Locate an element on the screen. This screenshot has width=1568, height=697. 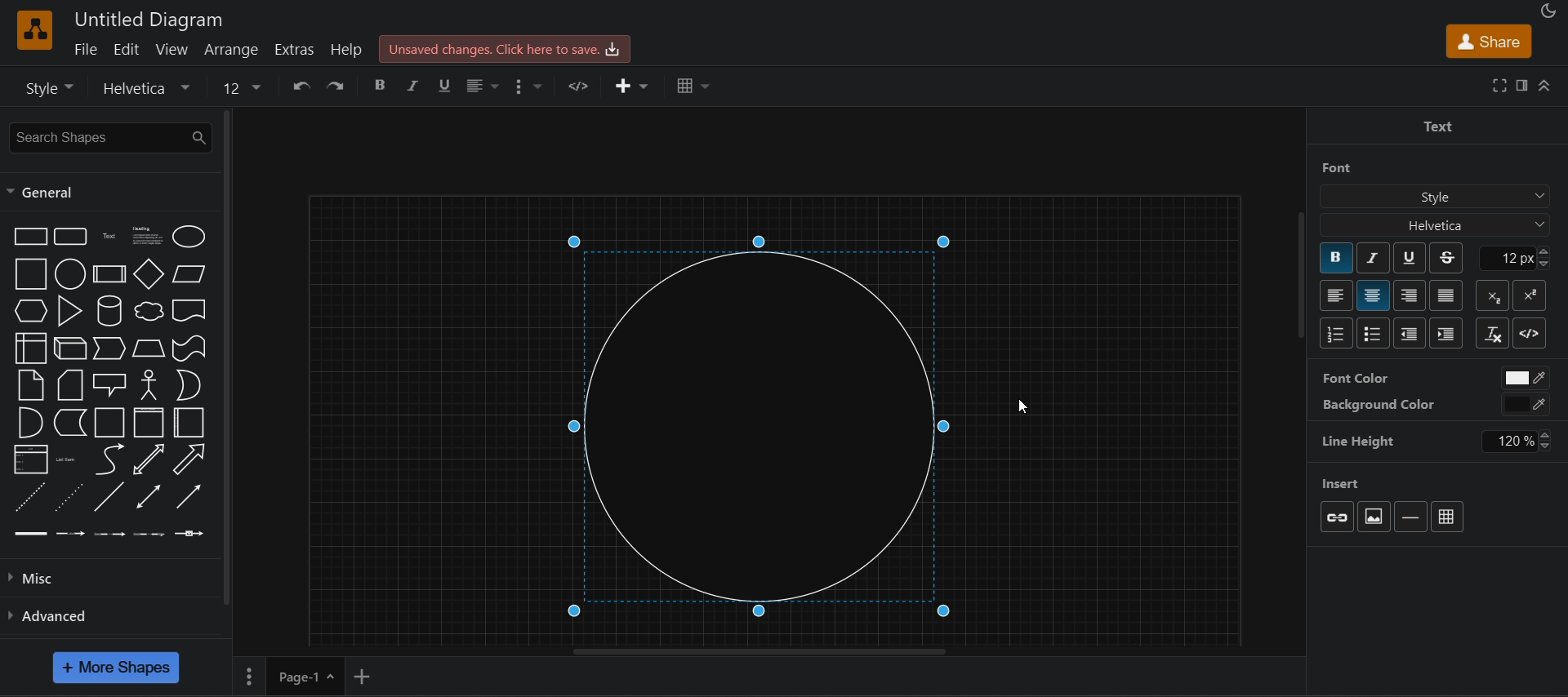
document is located at coordinates (192, 309).